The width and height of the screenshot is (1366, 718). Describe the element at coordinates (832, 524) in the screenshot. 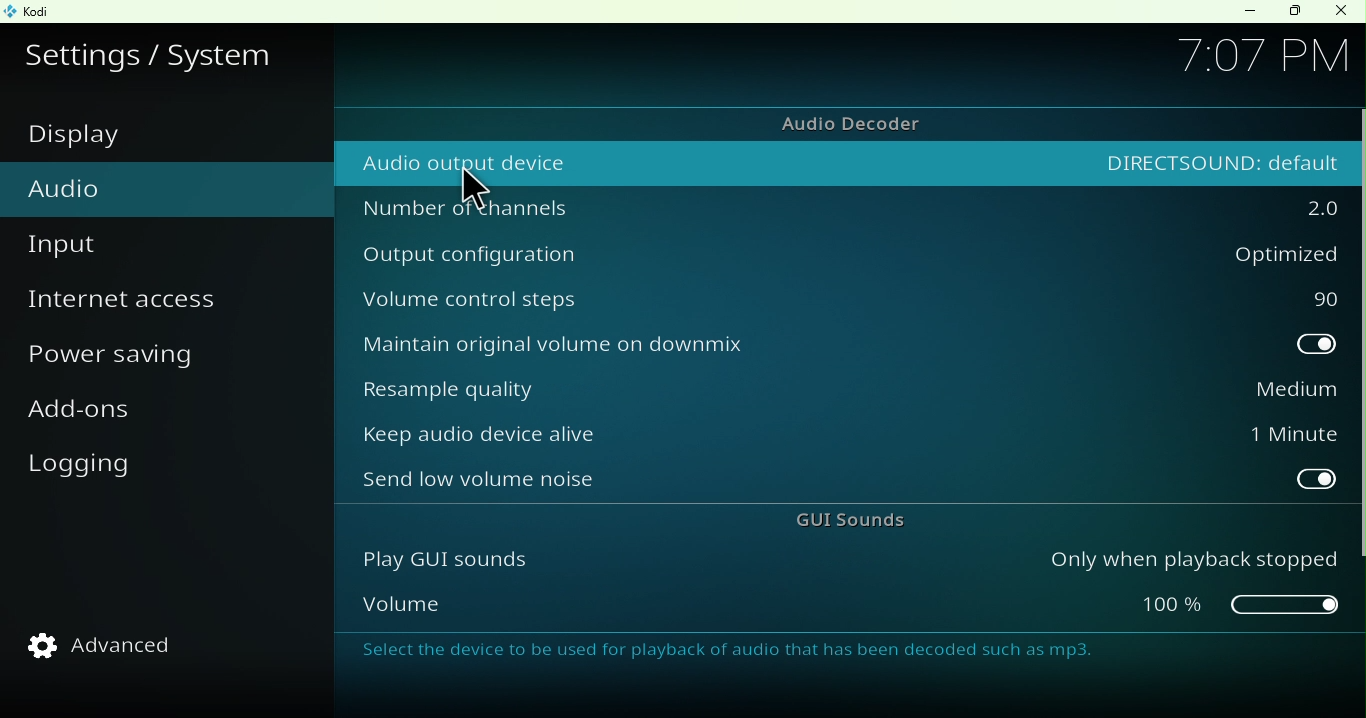

I see `GUI sounds` at that location.